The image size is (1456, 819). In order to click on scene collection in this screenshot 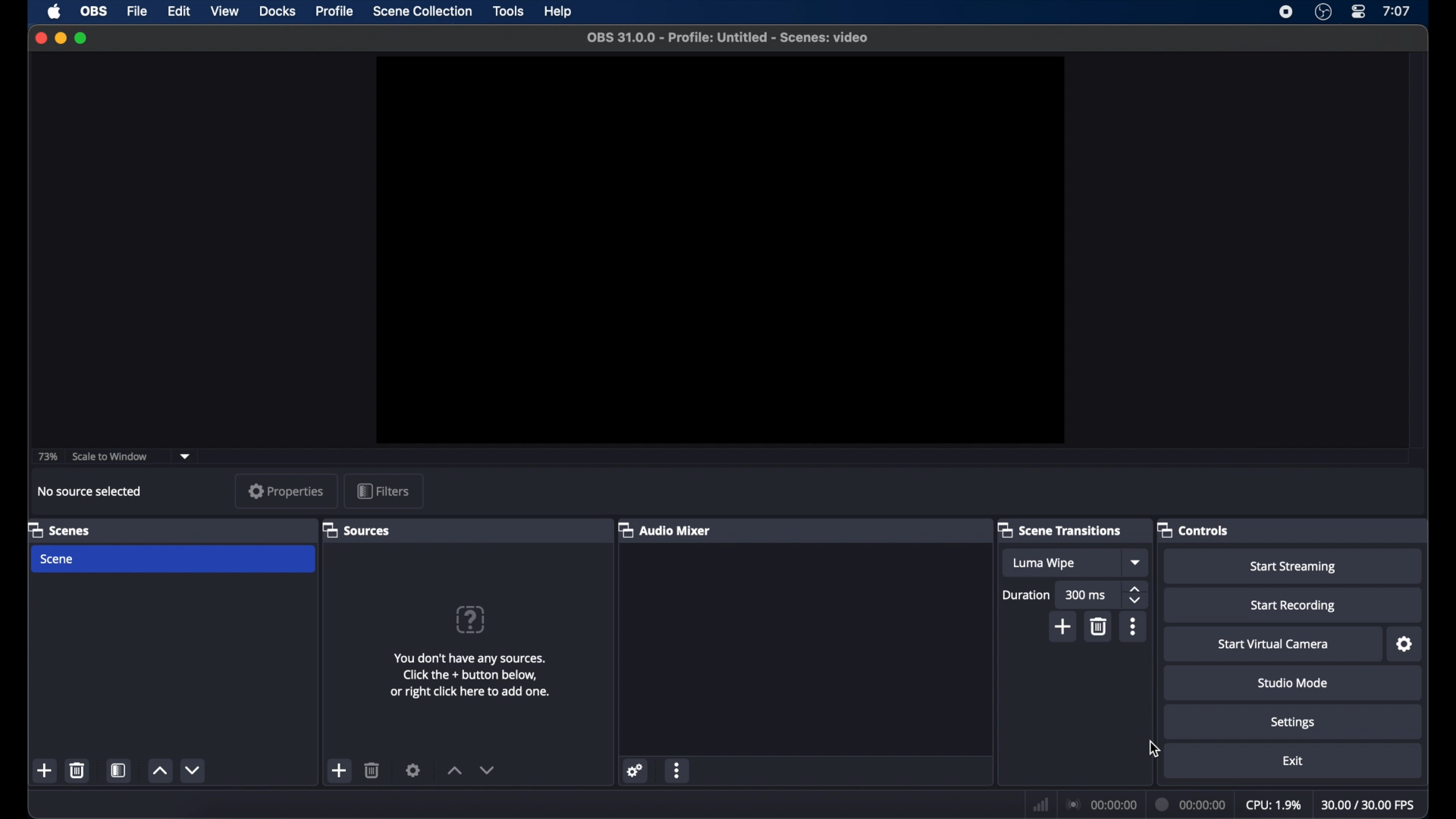, I will do `click(422, 11)`.